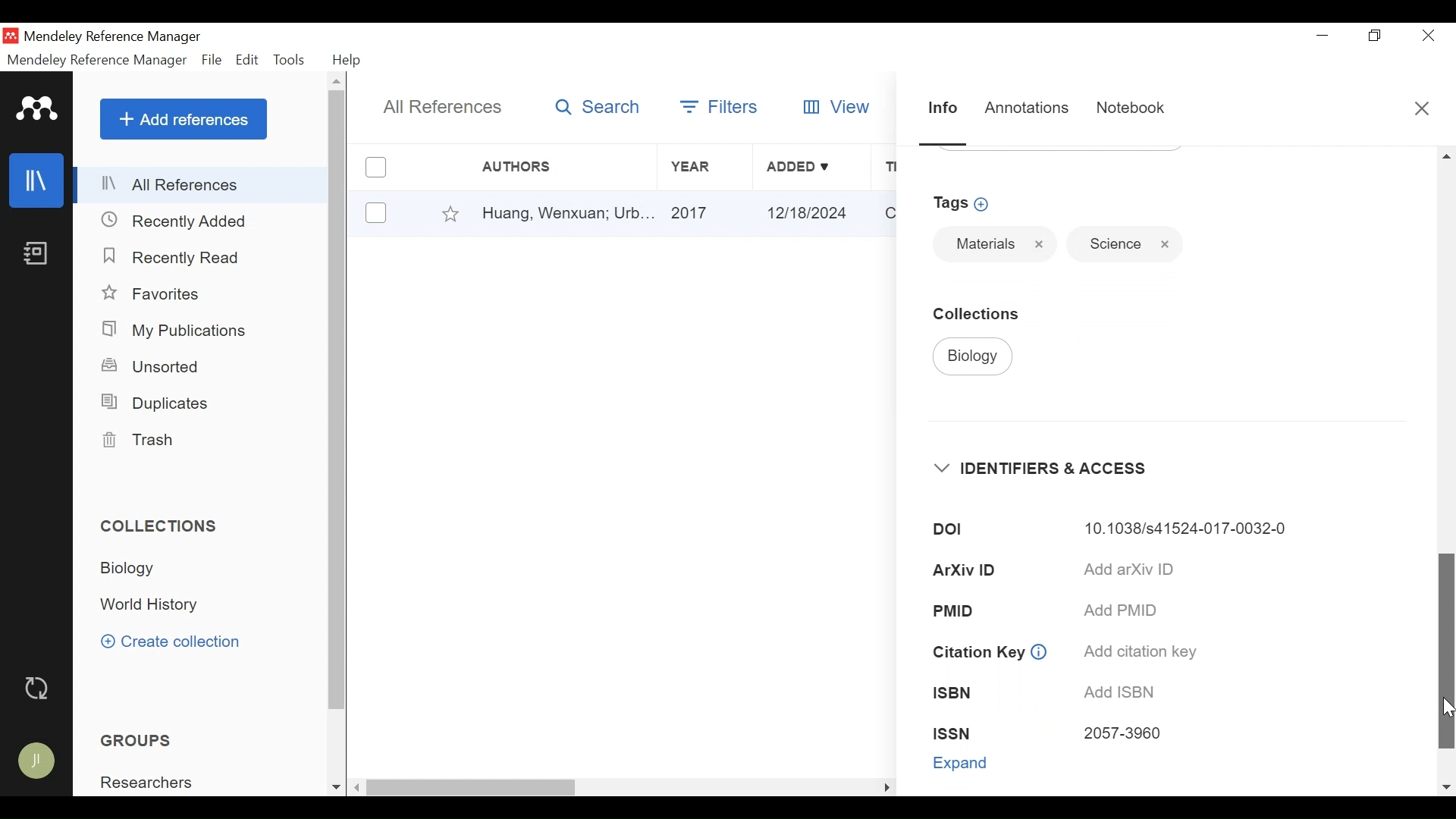 Image resolution: width=1456 pixels, height=819 pixels. I want to click on File, so click(212, 60).